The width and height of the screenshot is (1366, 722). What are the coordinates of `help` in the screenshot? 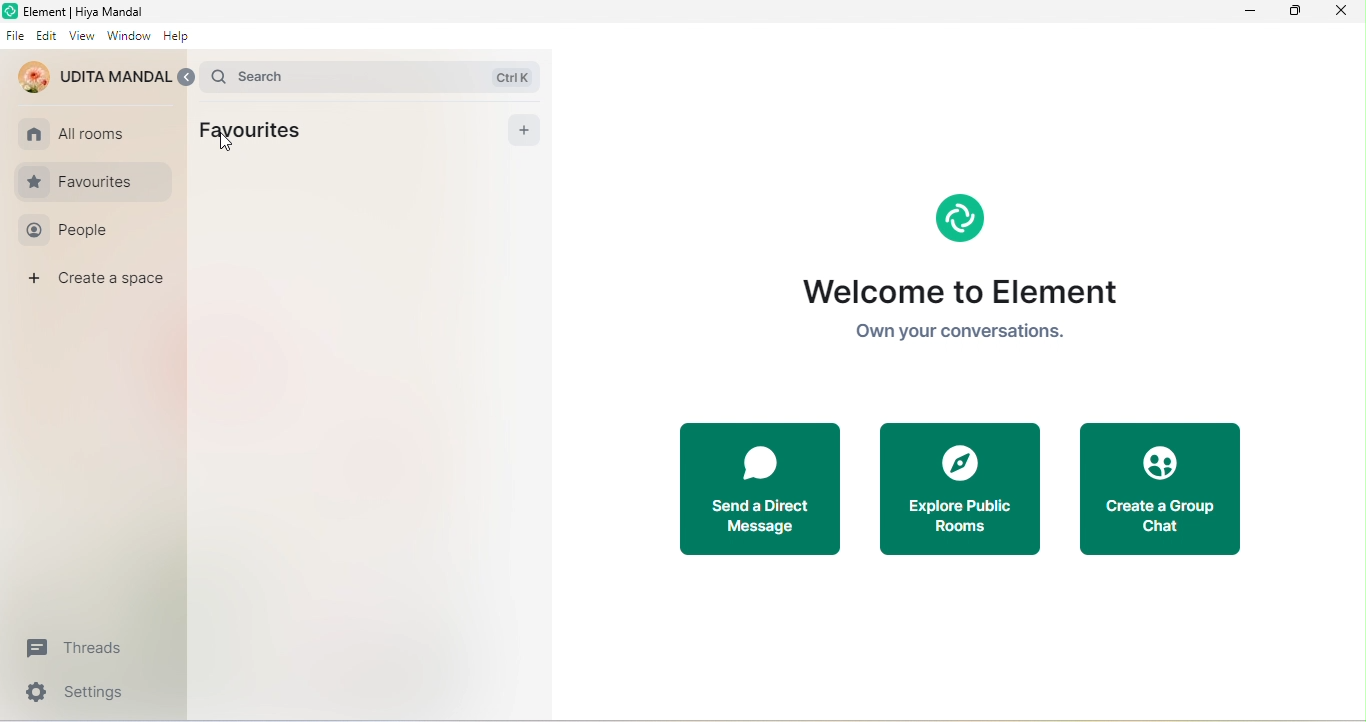 It's located at (178, 38).